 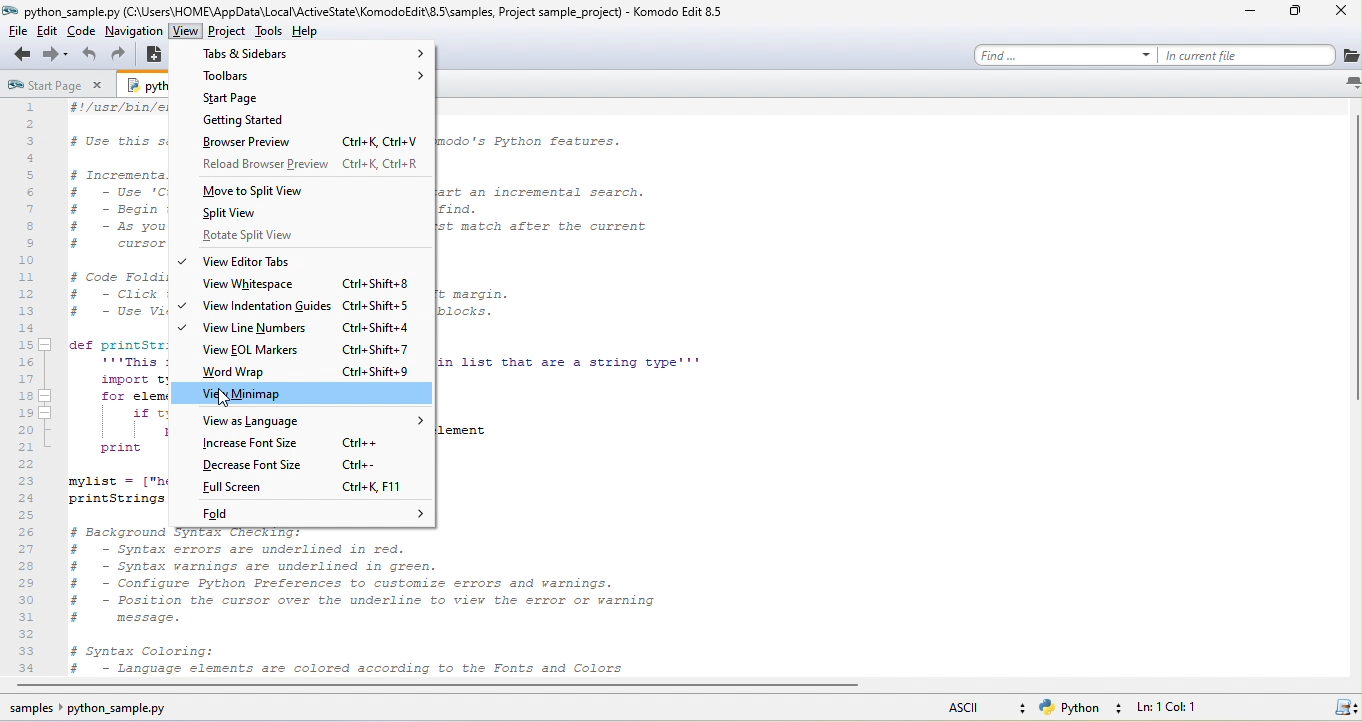 I want to click on view minimap, so click(x=305, y=394).